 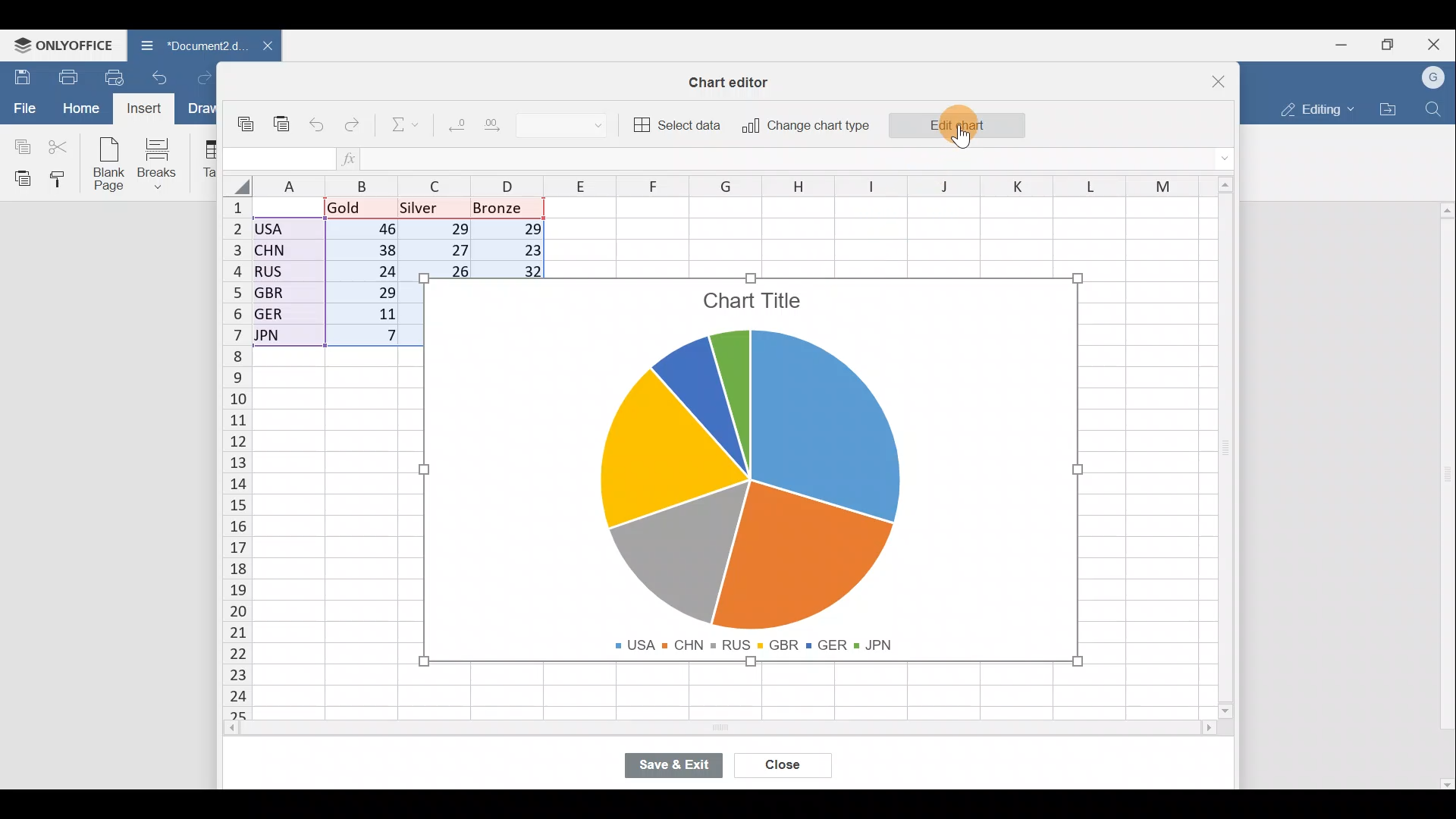 I want to click on Redo, so click(x=353, y=128).